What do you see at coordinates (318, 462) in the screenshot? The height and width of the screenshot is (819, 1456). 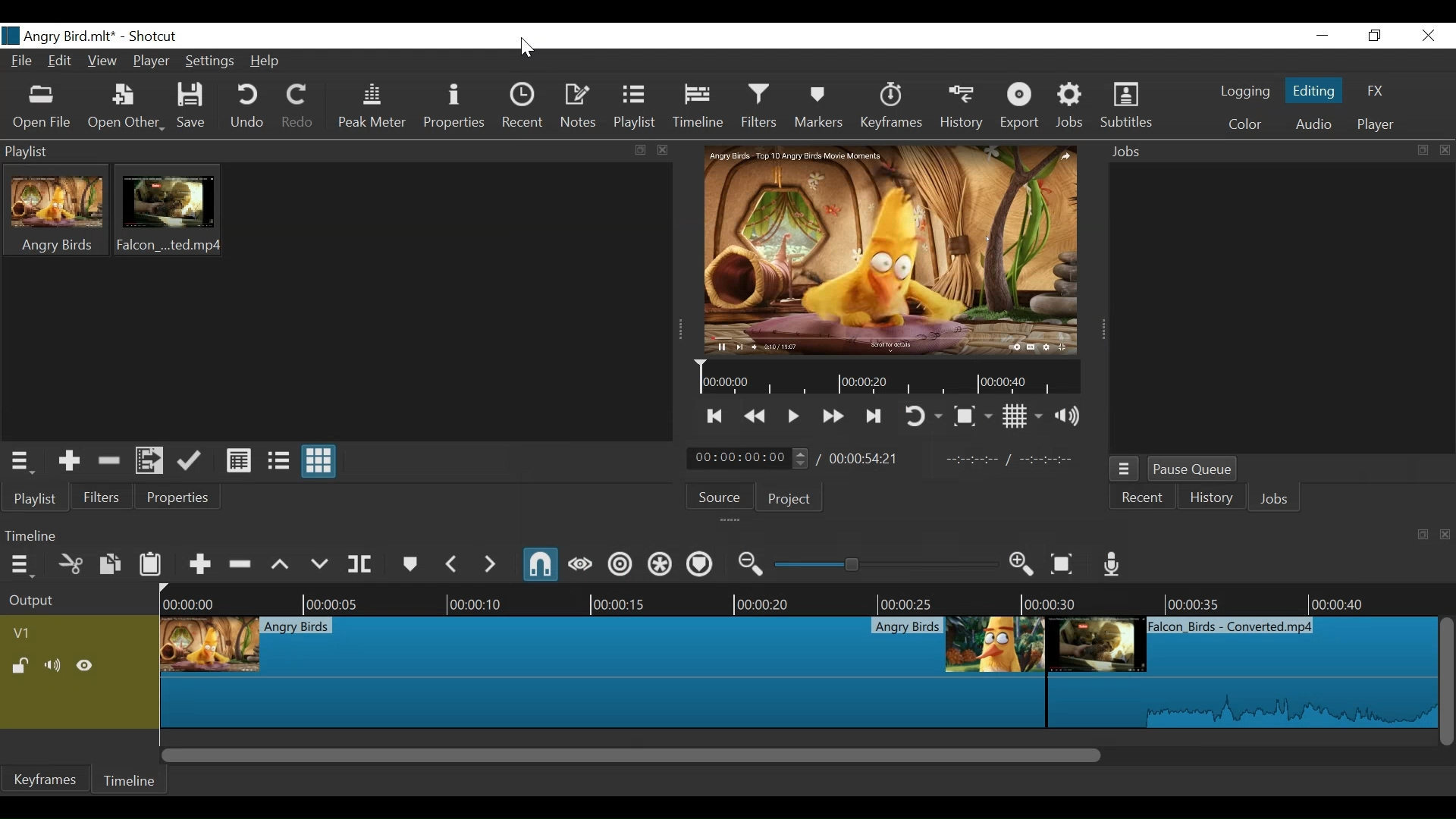 I see `View as icons` at bounding box center [318, 462].